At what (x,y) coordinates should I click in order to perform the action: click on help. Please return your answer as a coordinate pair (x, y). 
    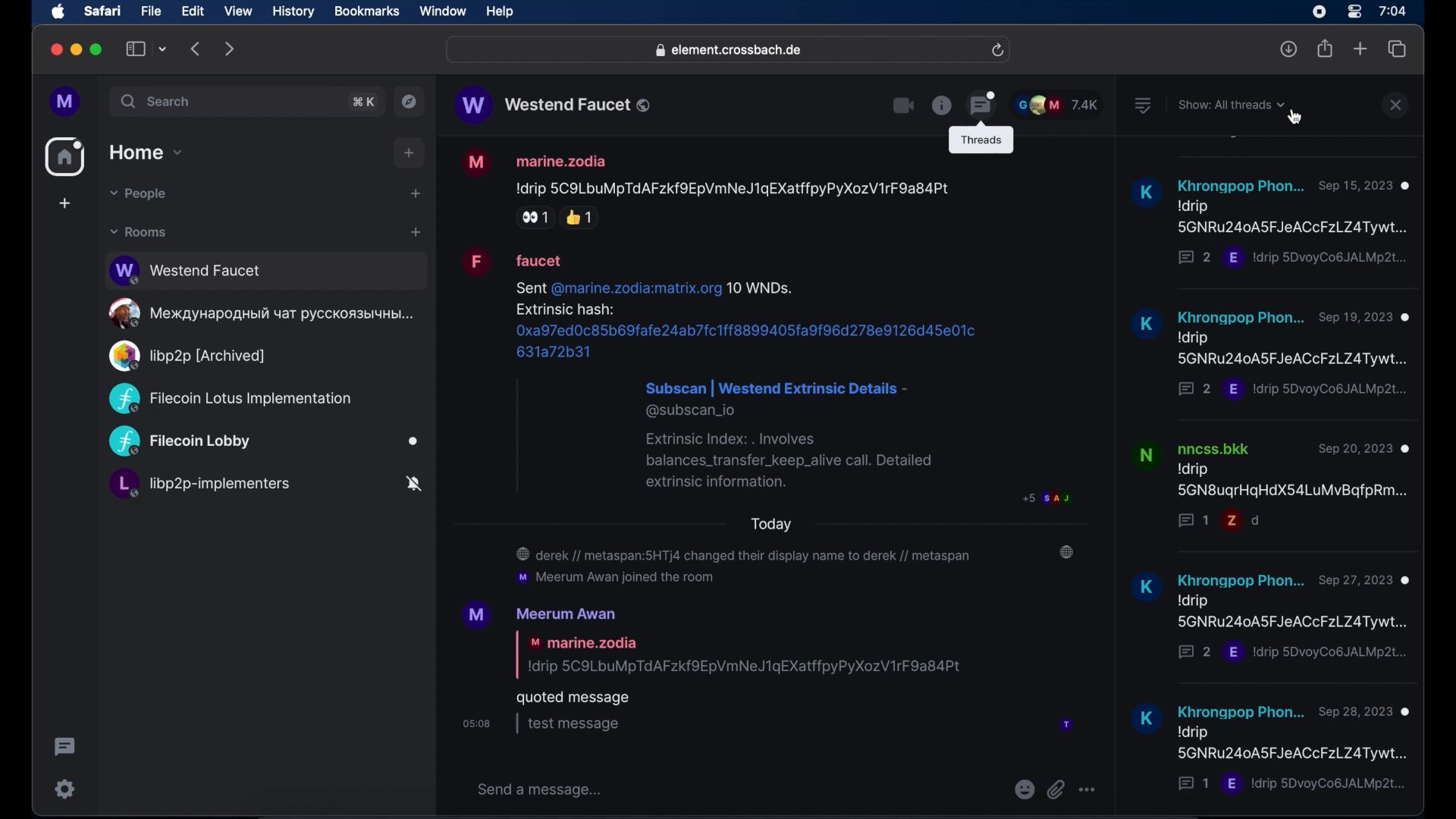
    Looking at the image, I should click on (500, 11).